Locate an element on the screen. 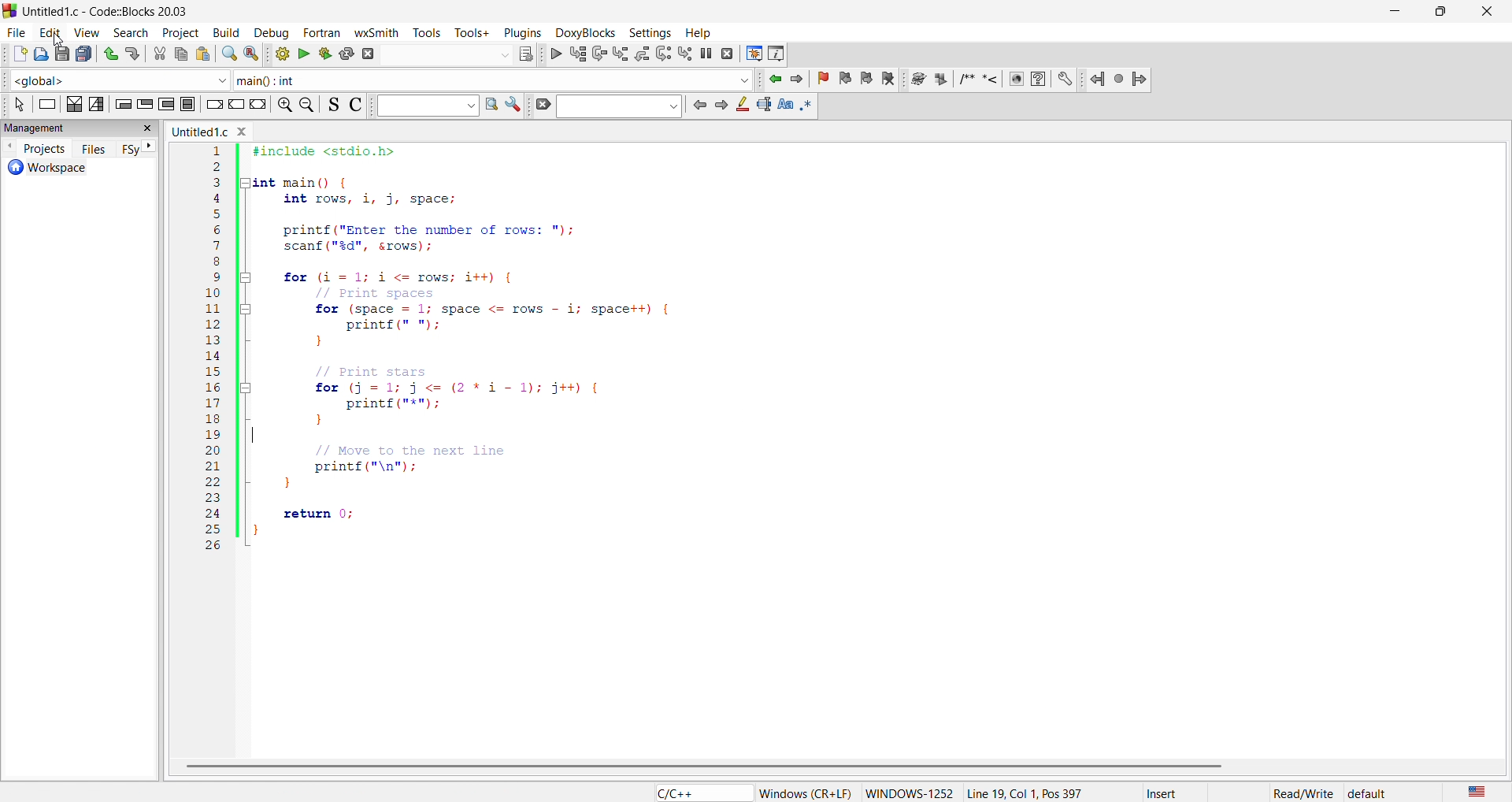 This screenshot has width=1512, height=802. code editor - #include <stdio.h> int main() { int rows, i, j, space; printf("Enter the number of rows: "); scanf("%d", &rows); for (i=1; i<= rows; i++) { // Print spaces for (space 1; space <= rows i; space++) { printf(" "); // Print stars for (j=1;j<= (2* i-1); j++) { printf("*"); // Move to the next line printf("\n"); return 0; is located at coordinates (819, 447).